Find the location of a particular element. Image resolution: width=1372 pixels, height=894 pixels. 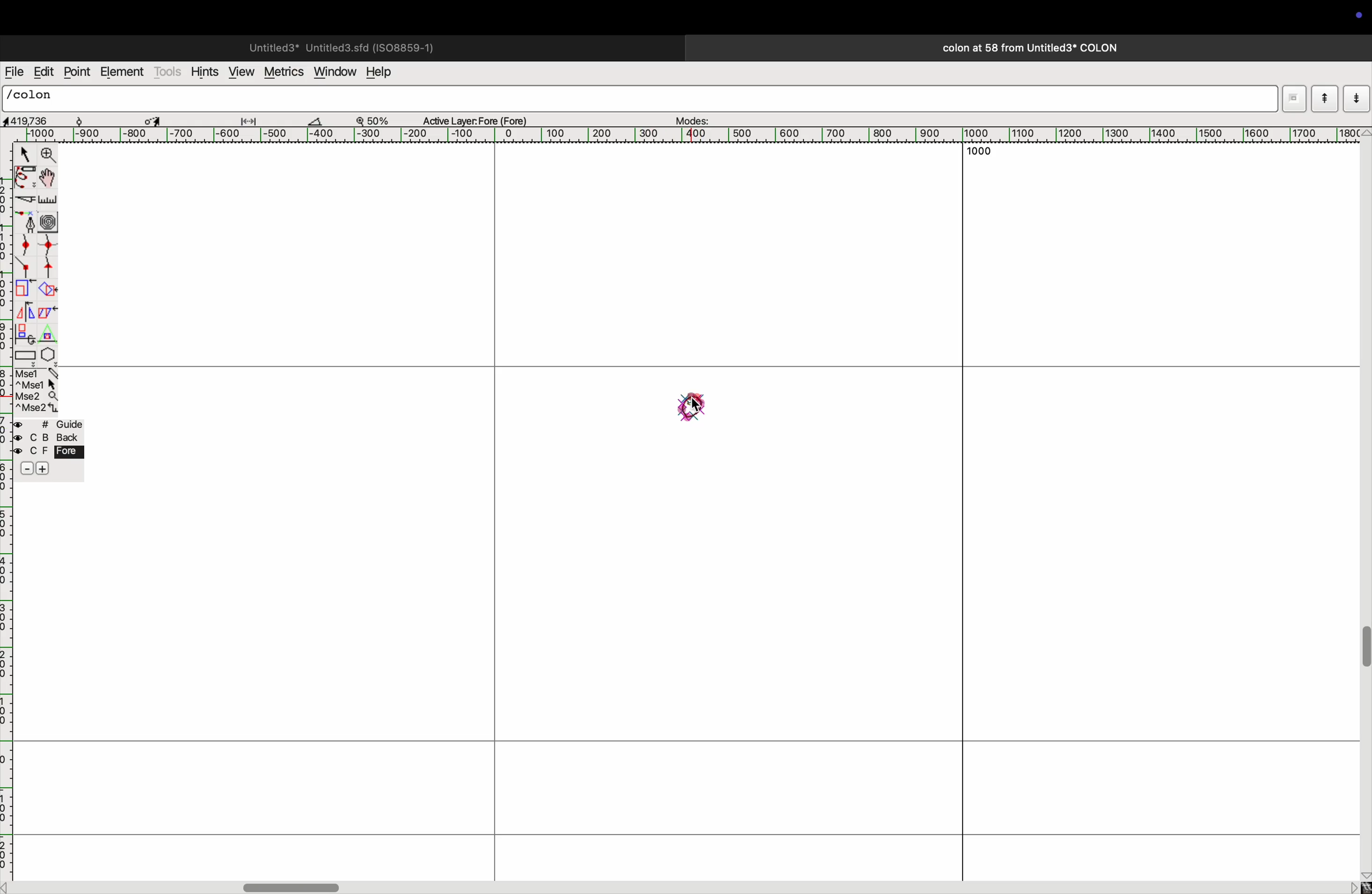

fountain pen is located at coordinates (26, 221).